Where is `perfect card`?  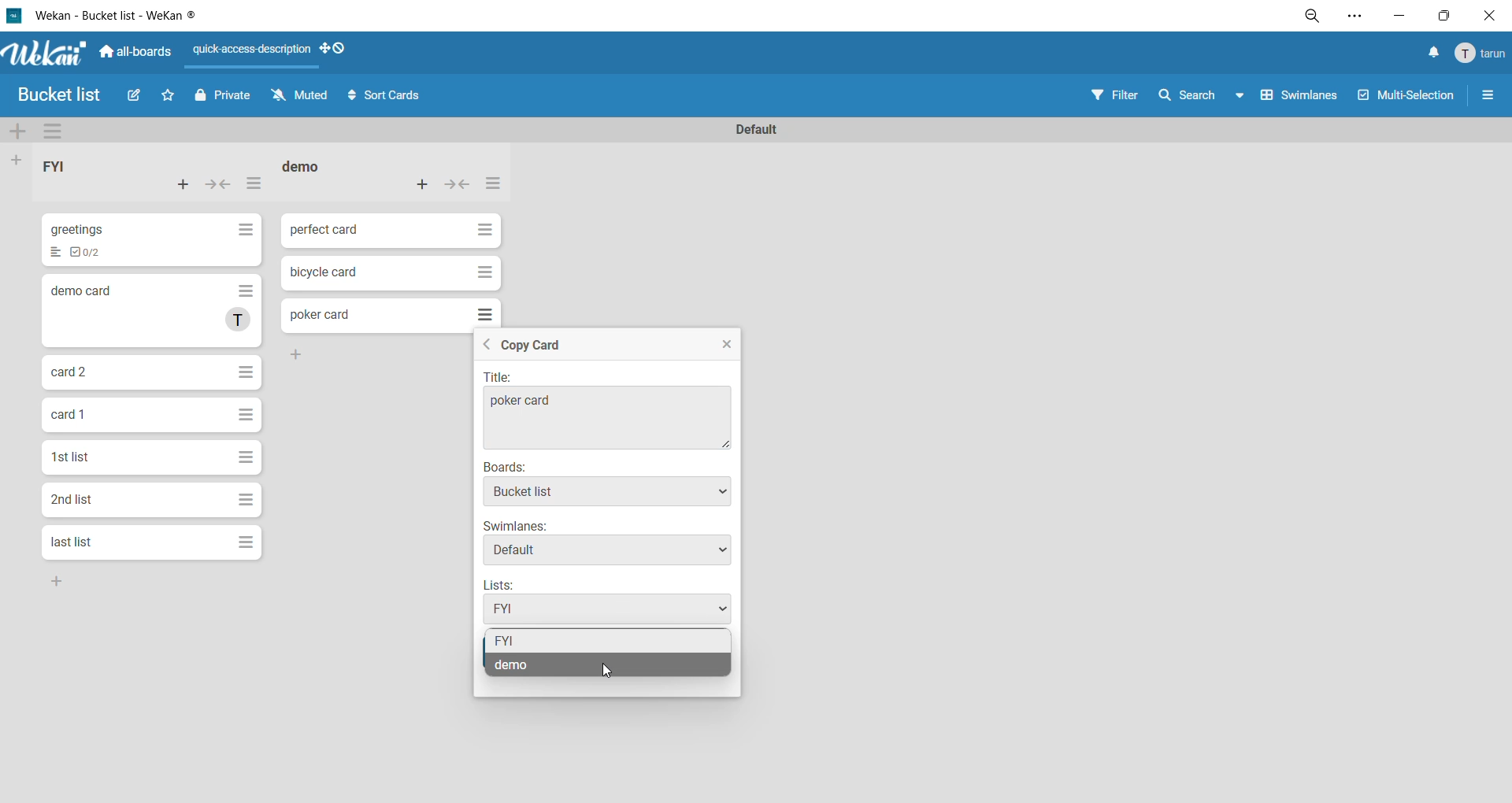
perfect card is located at coordinates (324, 230).